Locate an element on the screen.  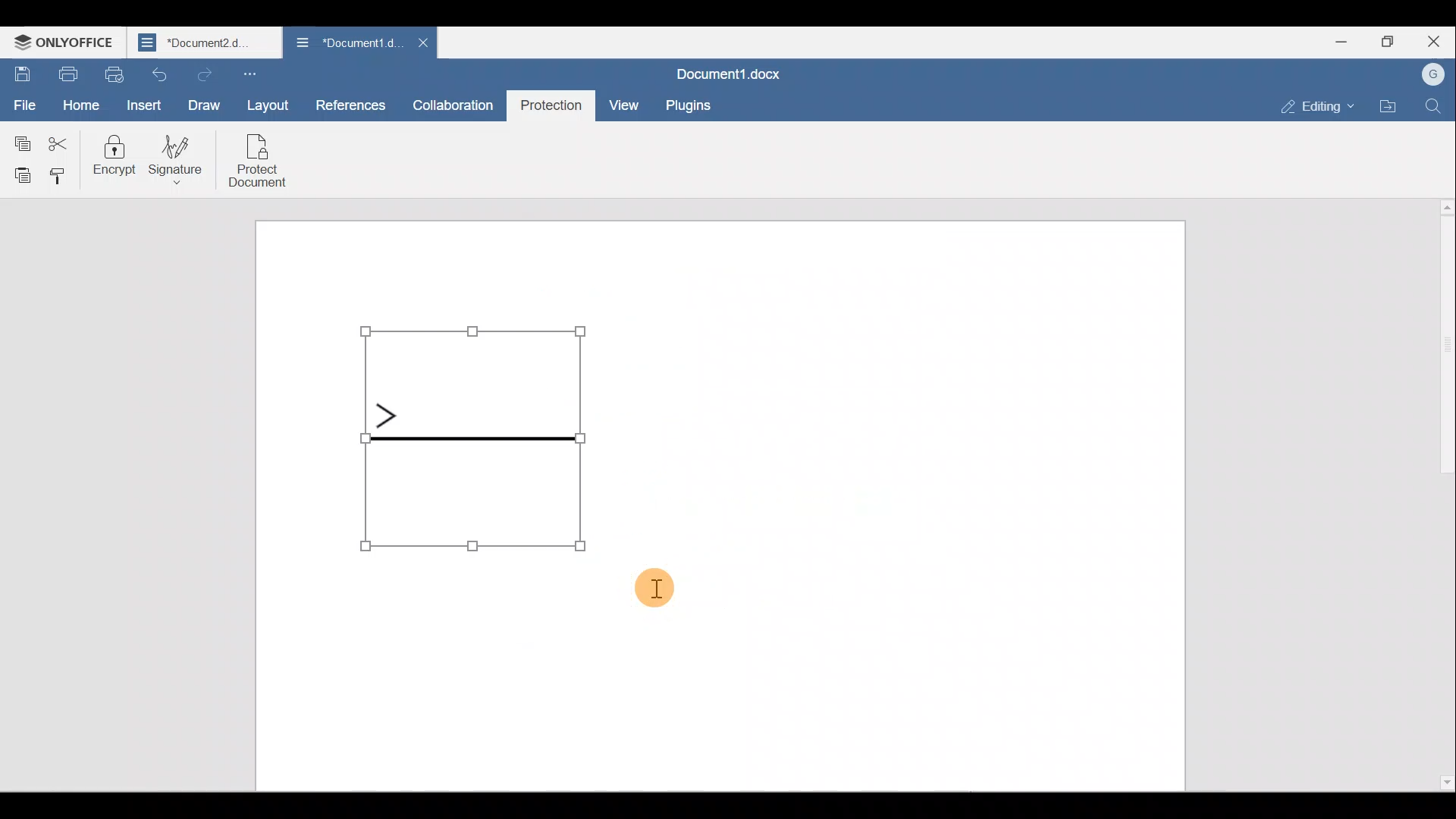
Draw is located at coordinates (209, 106).